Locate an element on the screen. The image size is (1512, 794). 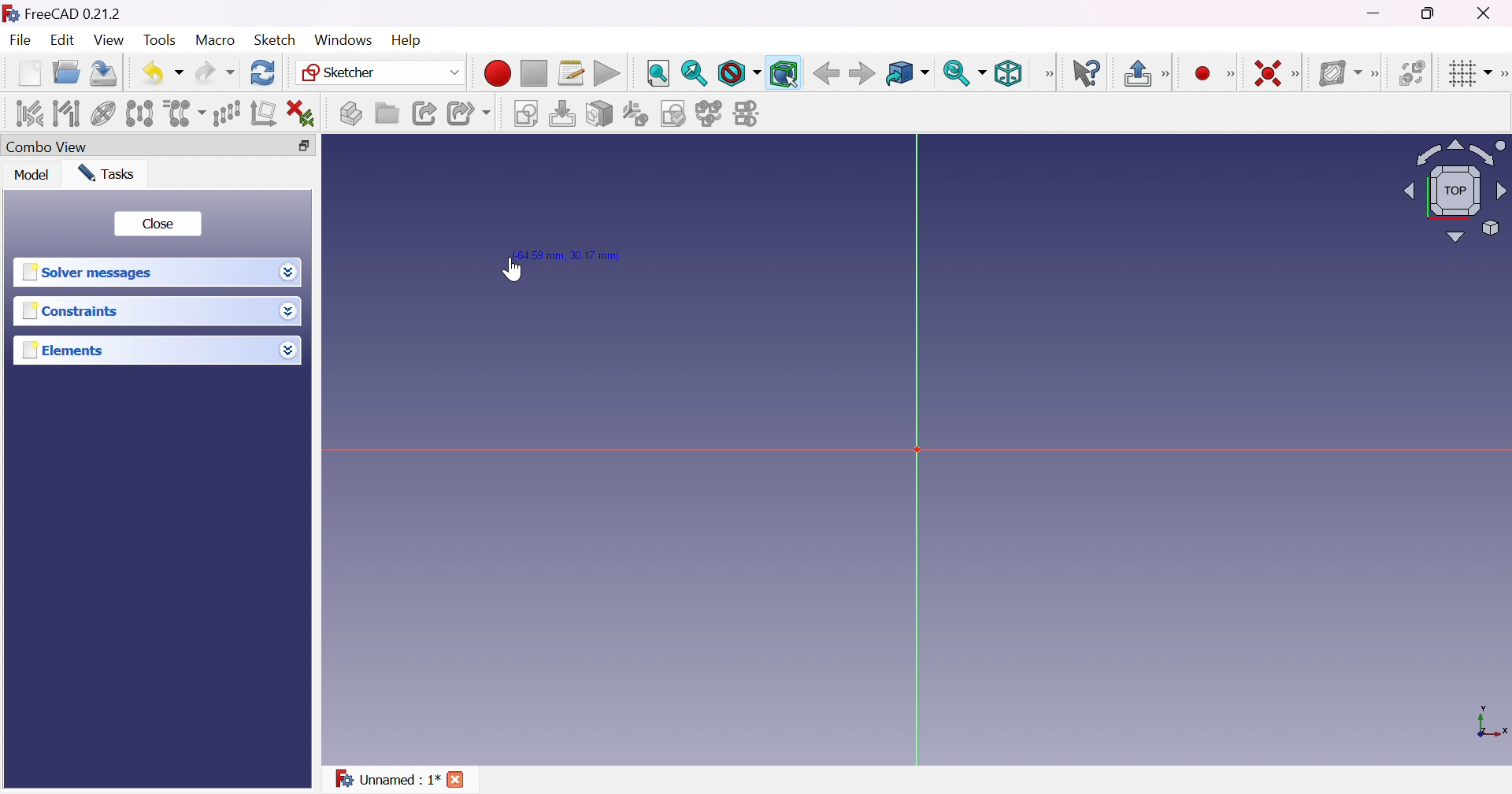
FreeCAD 0.21.2 is located at coordinates (72, 13).